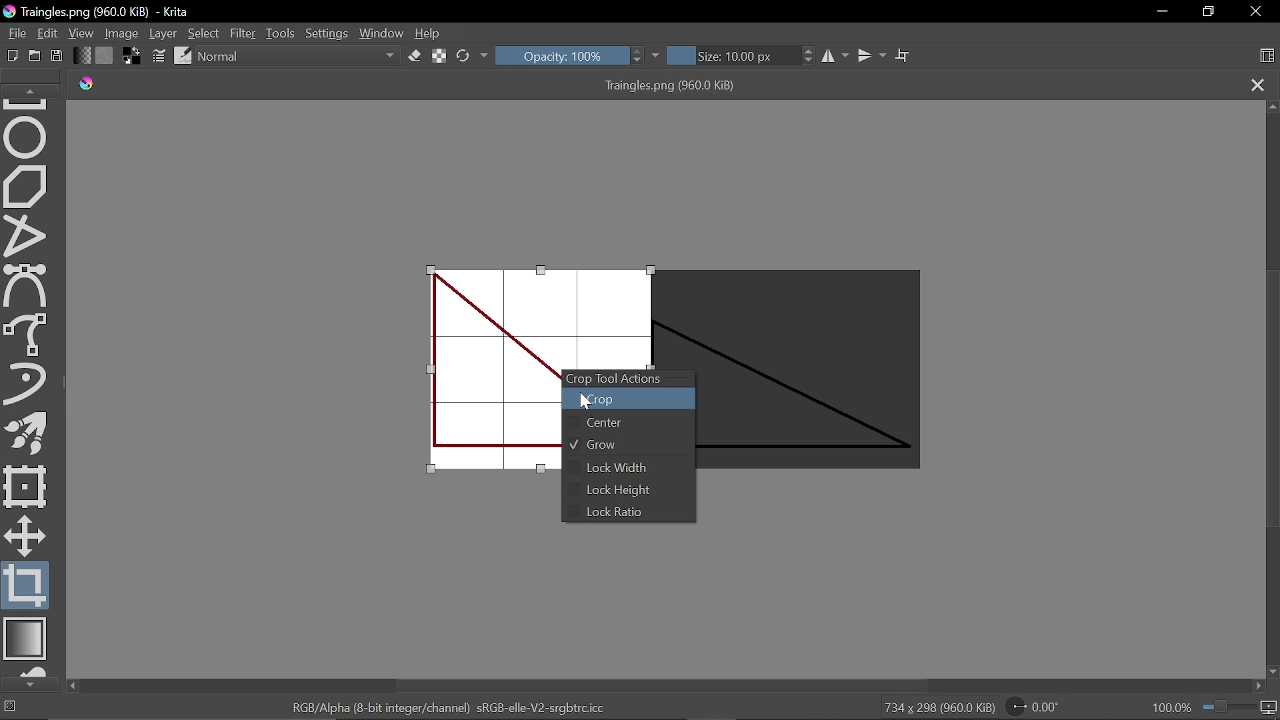 This screenshot has width=1280, height=720. What do you see at coordinates (10, 708) in the screenshot?
I see `No selection` at bounding box center [10, 708].